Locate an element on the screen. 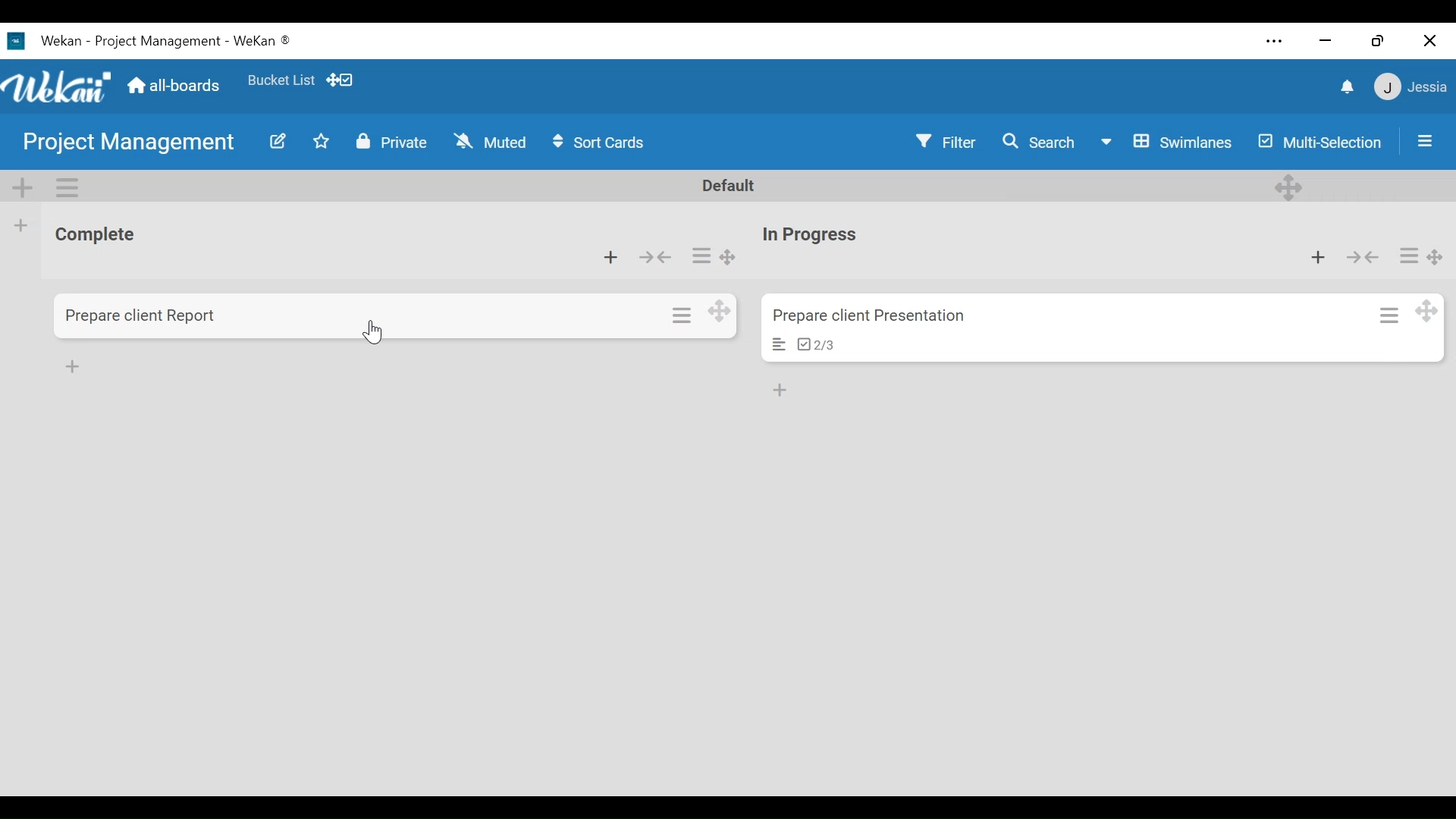 Image resolution: width=1456 pixels, height=819 pixels. Card actions is located at coordinates (683, 314).